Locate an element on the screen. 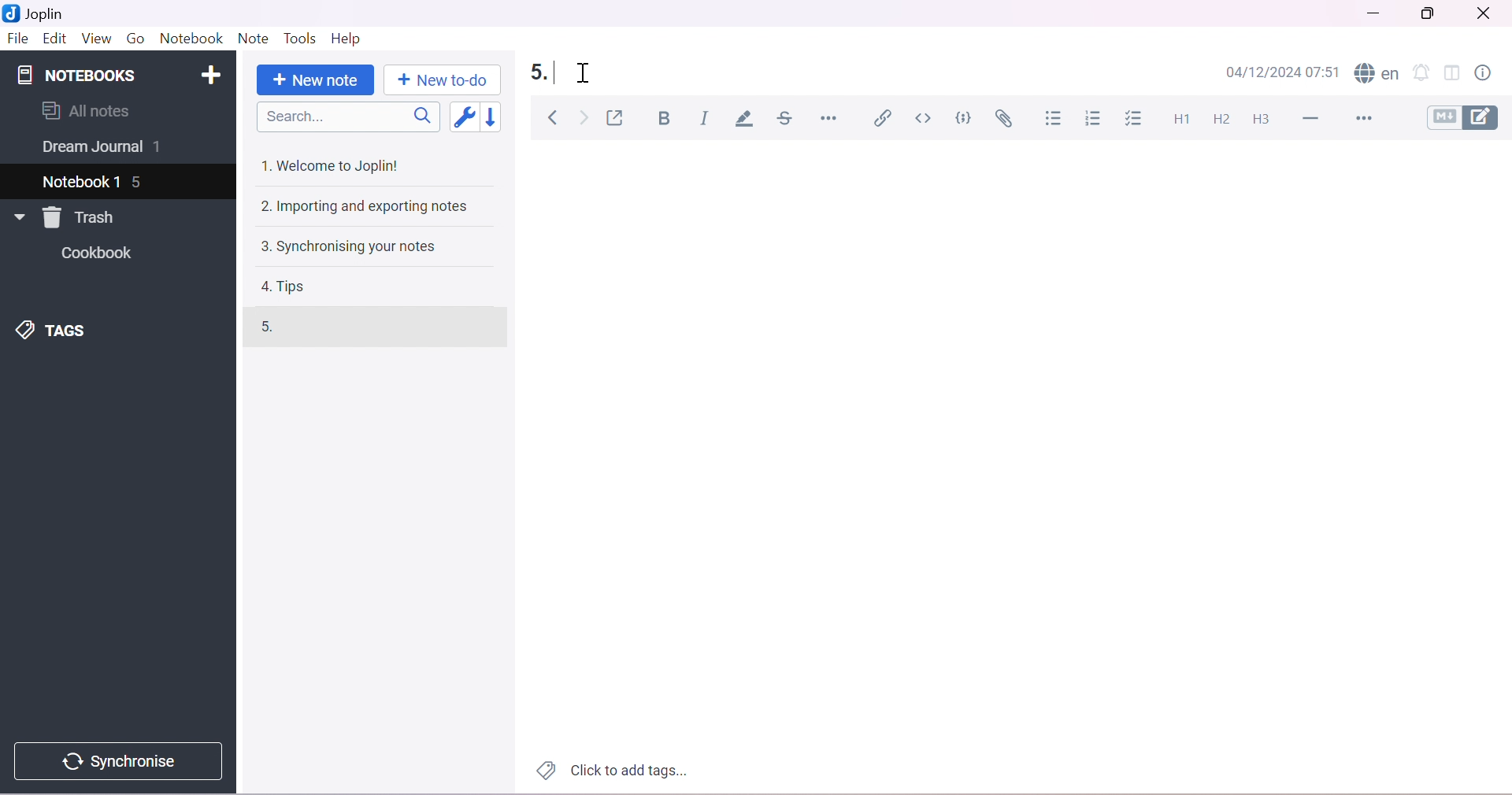 Image resolution: width=1512 pixels, height=795 pixels. Note properties is located at coordinates (1490, 72).